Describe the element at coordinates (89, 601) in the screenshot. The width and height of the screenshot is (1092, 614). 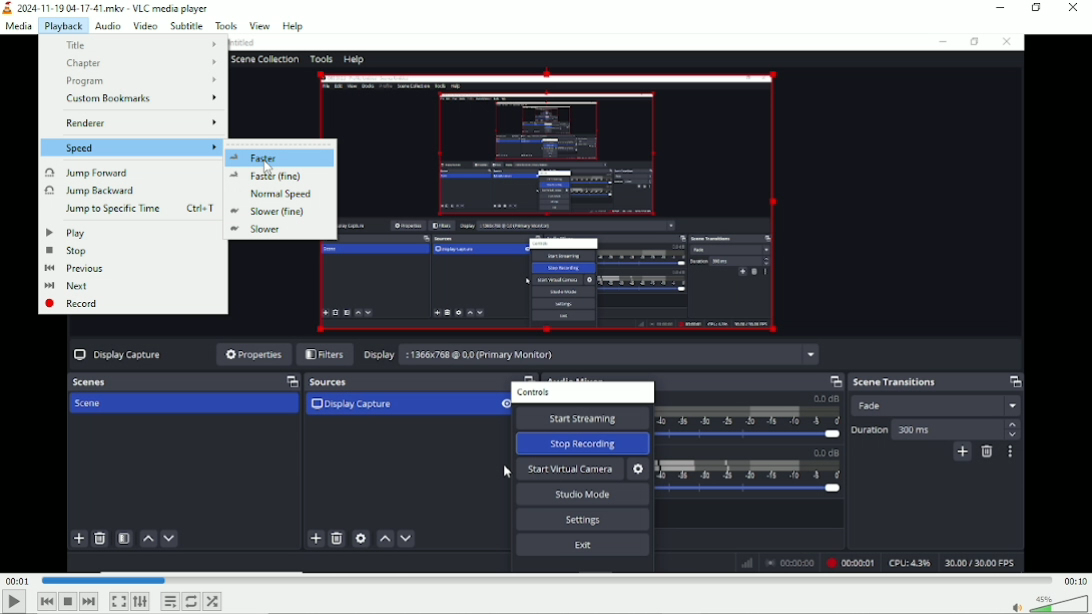
I see `Next` at that location.